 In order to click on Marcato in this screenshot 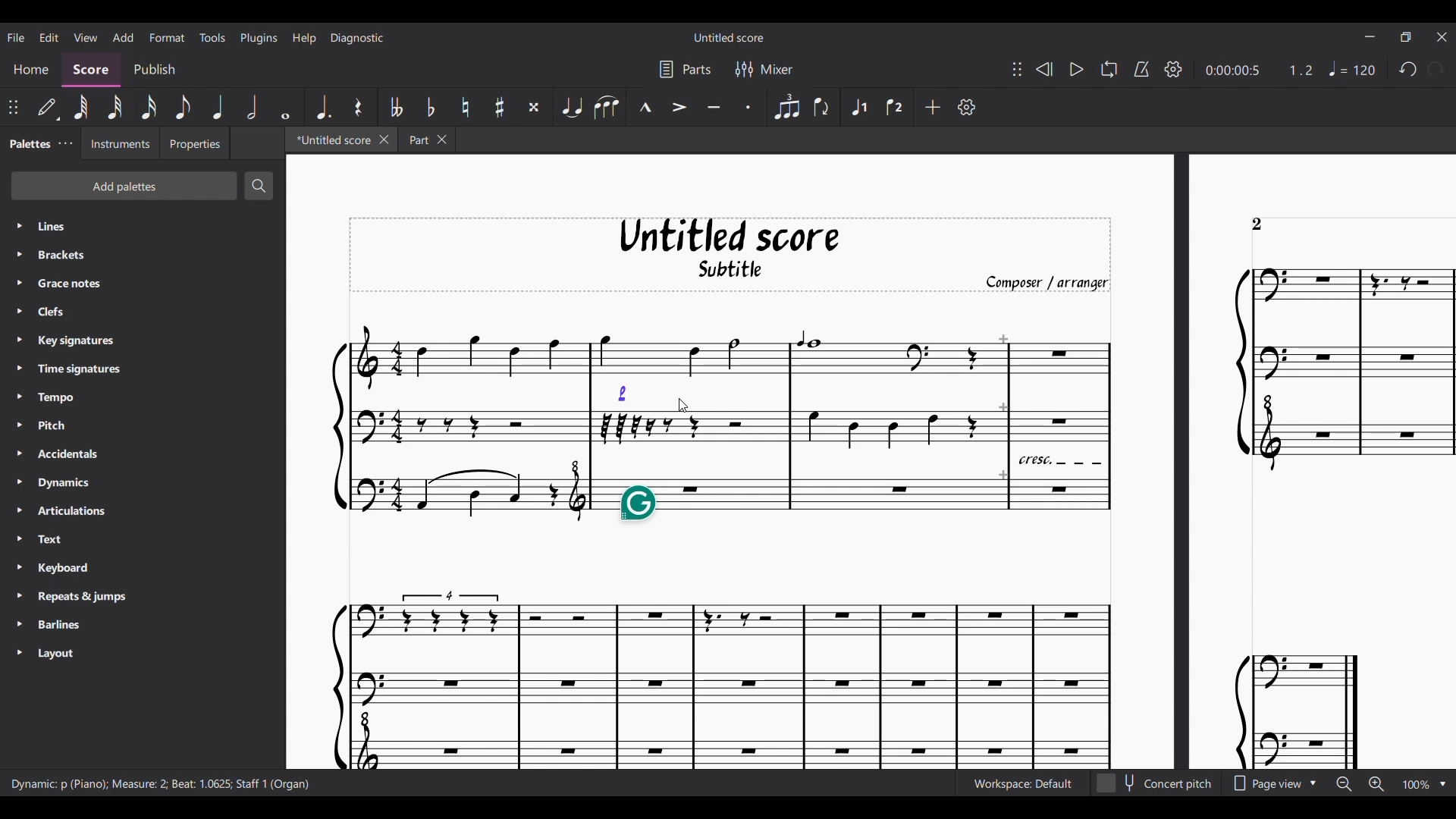, I will do `click(645, 106)`.